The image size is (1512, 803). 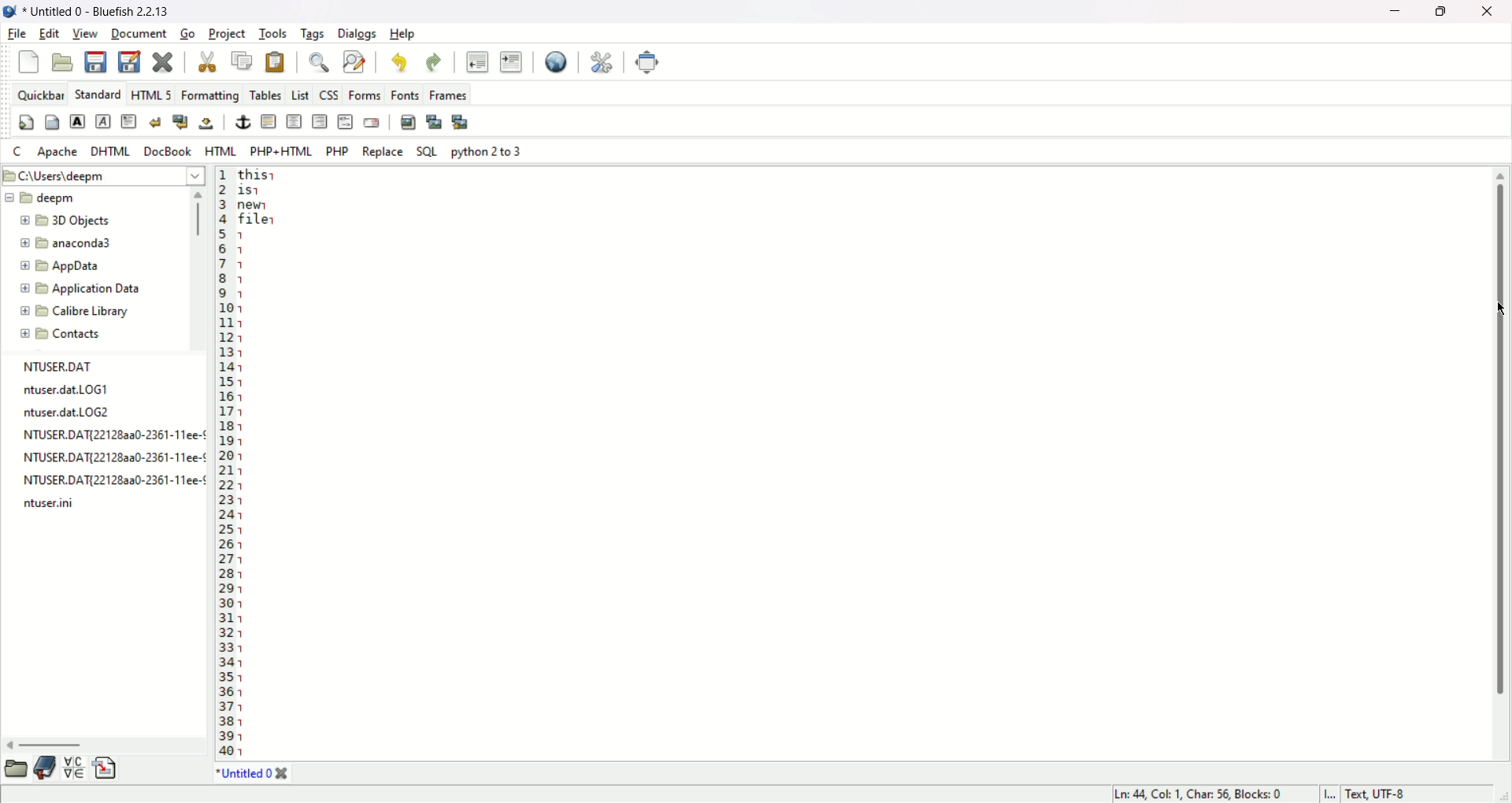 What do you see at coordinates (269, 122) in the screenshot?
I see `horizontal rule` at bounding box center [269, 122].